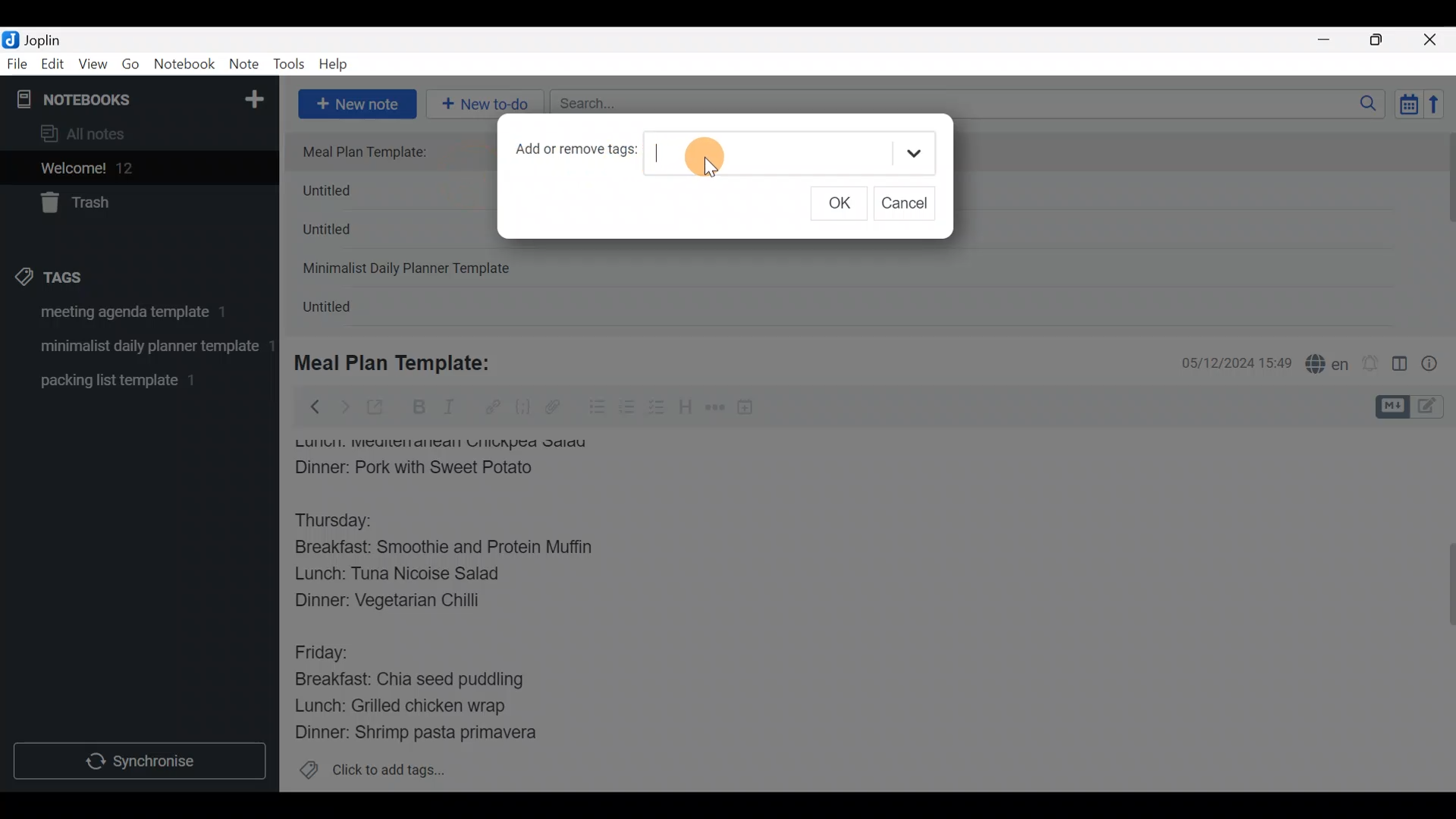  I want to click on Forward, so click(344, 406).